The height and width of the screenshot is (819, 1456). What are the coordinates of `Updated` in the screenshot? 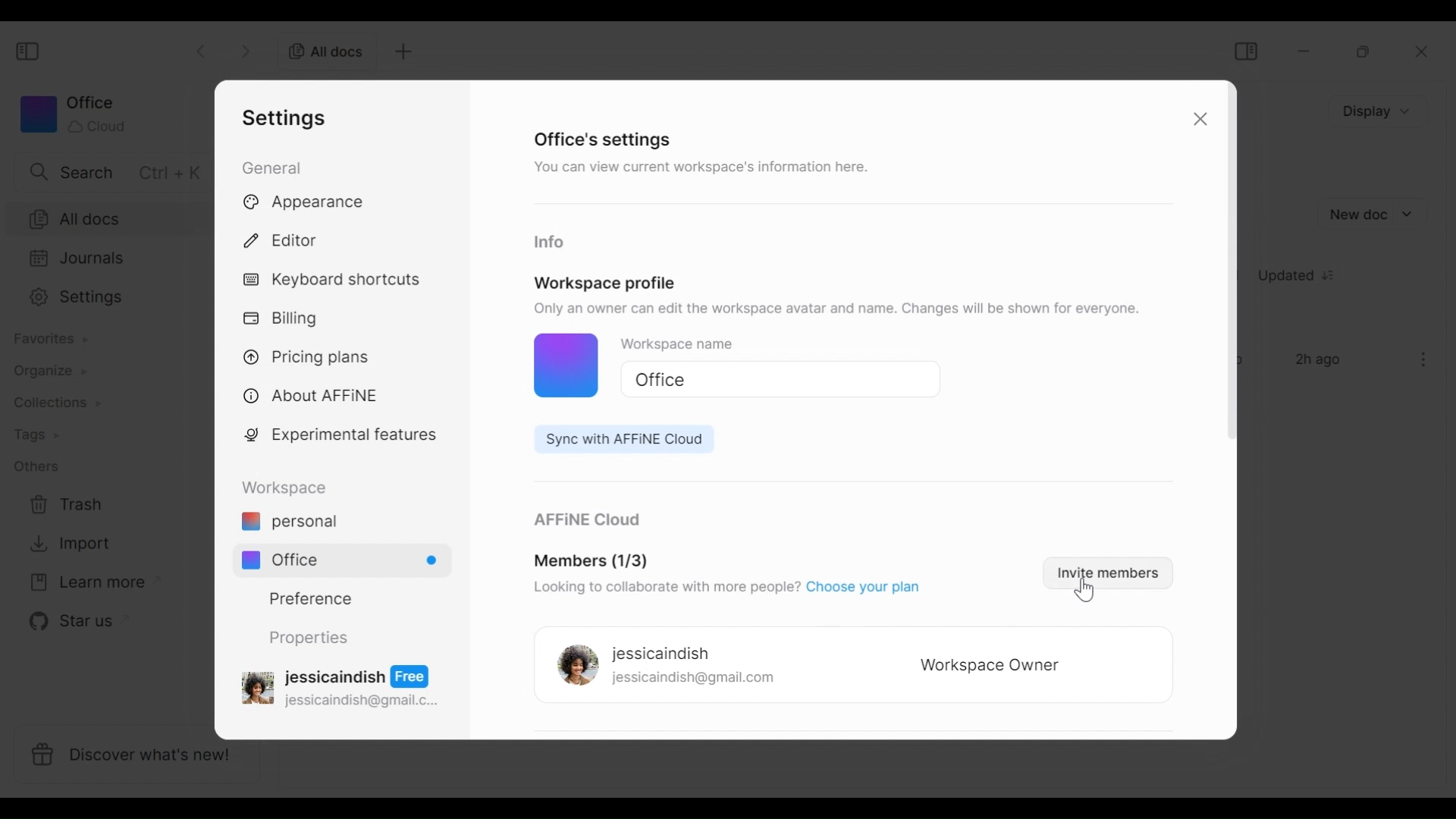 It's located at (1302, 278).